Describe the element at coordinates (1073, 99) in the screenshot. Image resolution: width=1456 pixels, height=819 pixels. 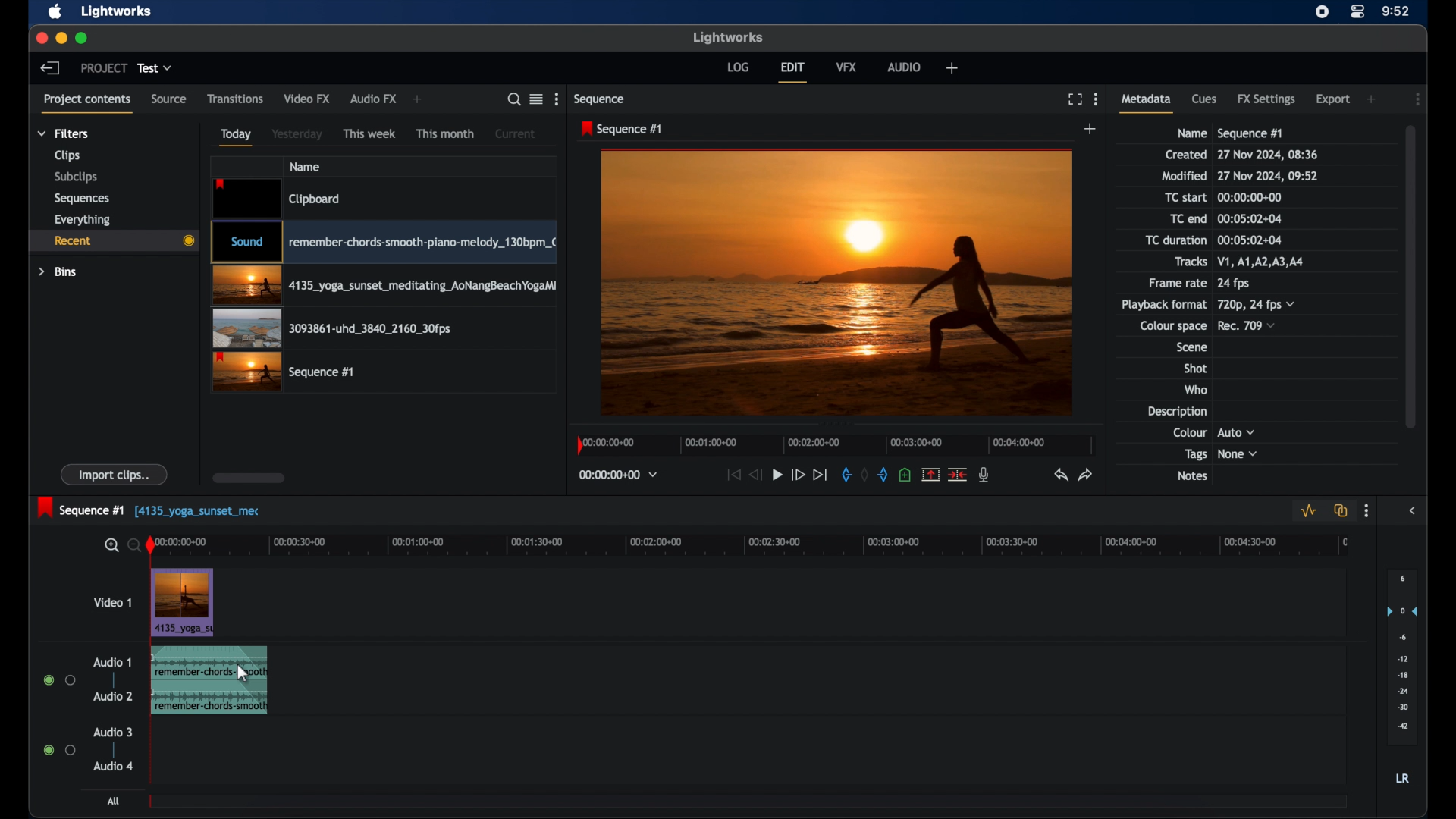
I see `full screen` at that location.